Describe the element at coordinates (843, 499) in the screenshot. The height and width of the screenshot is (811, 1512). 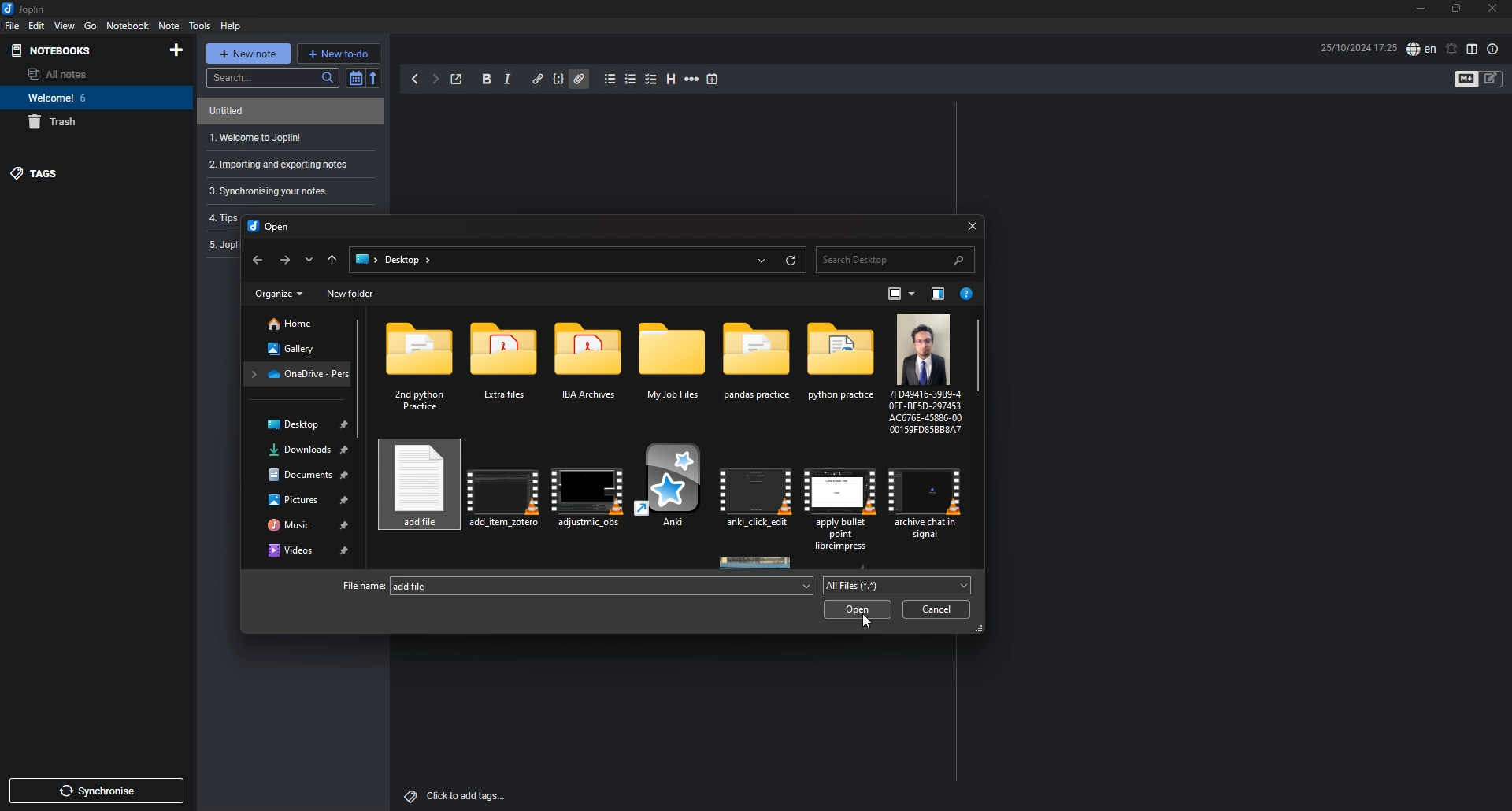
I see `file` at that location.